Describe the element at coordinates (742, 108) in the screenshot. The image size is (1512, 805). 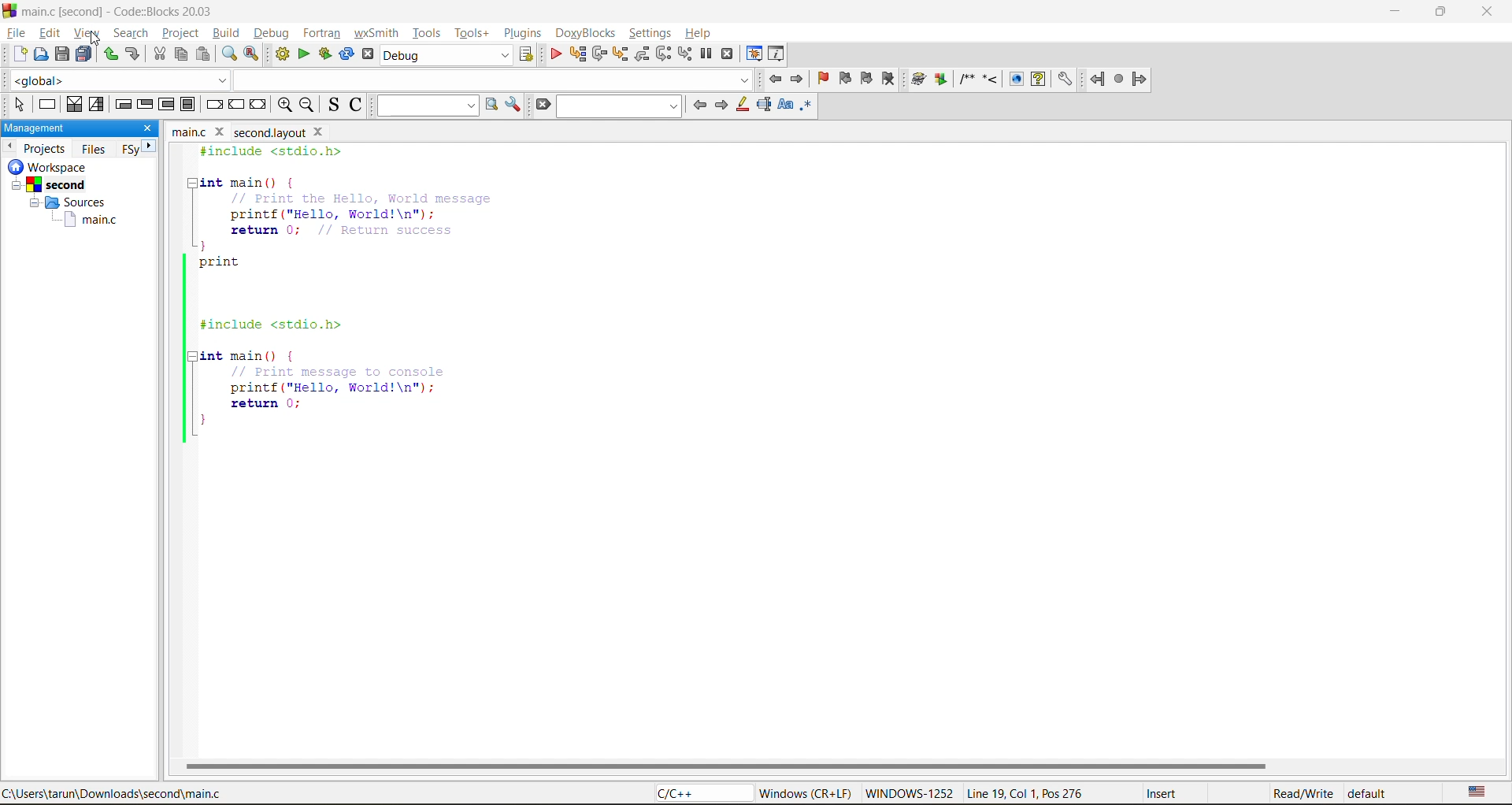
I see `highlight` at that location.